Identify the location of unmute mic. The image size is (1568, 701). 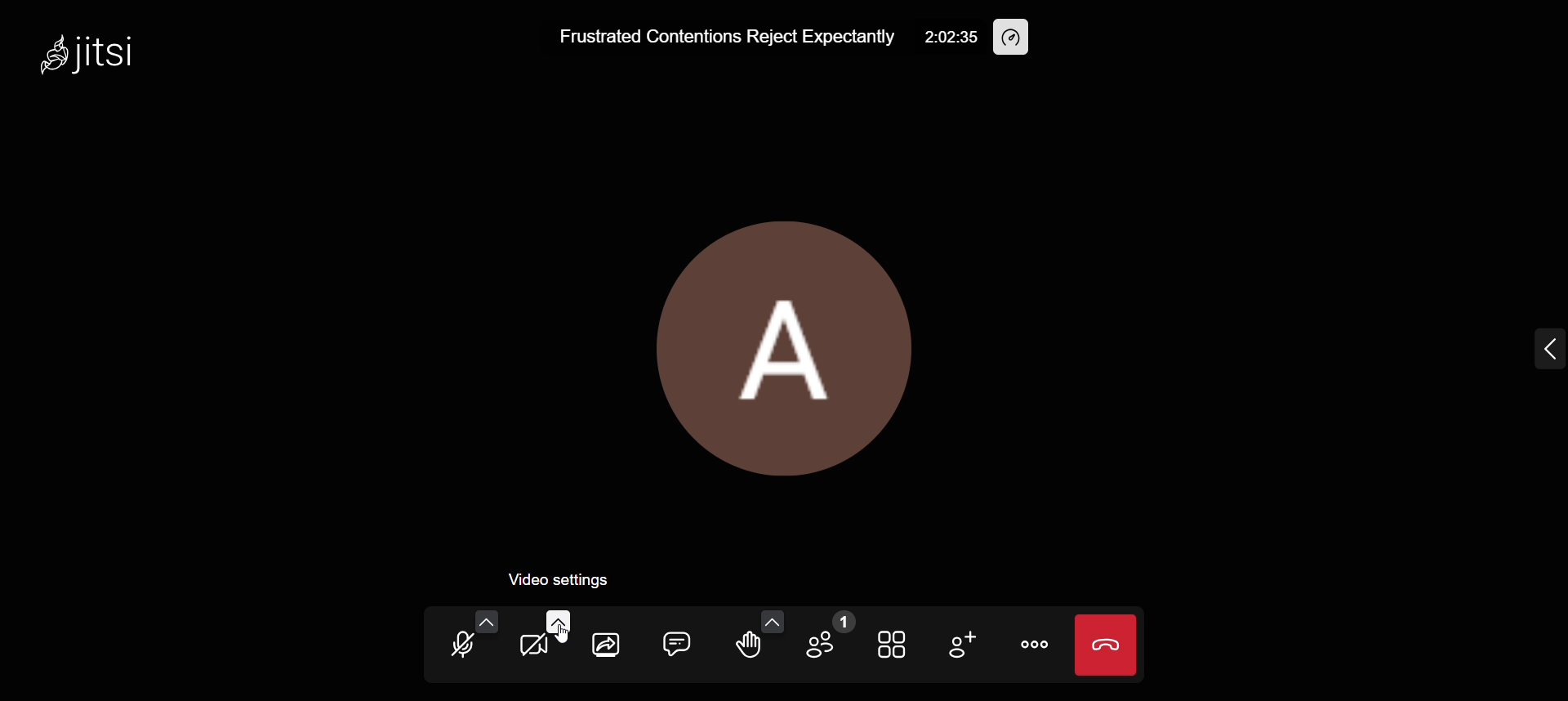
(459, 645).